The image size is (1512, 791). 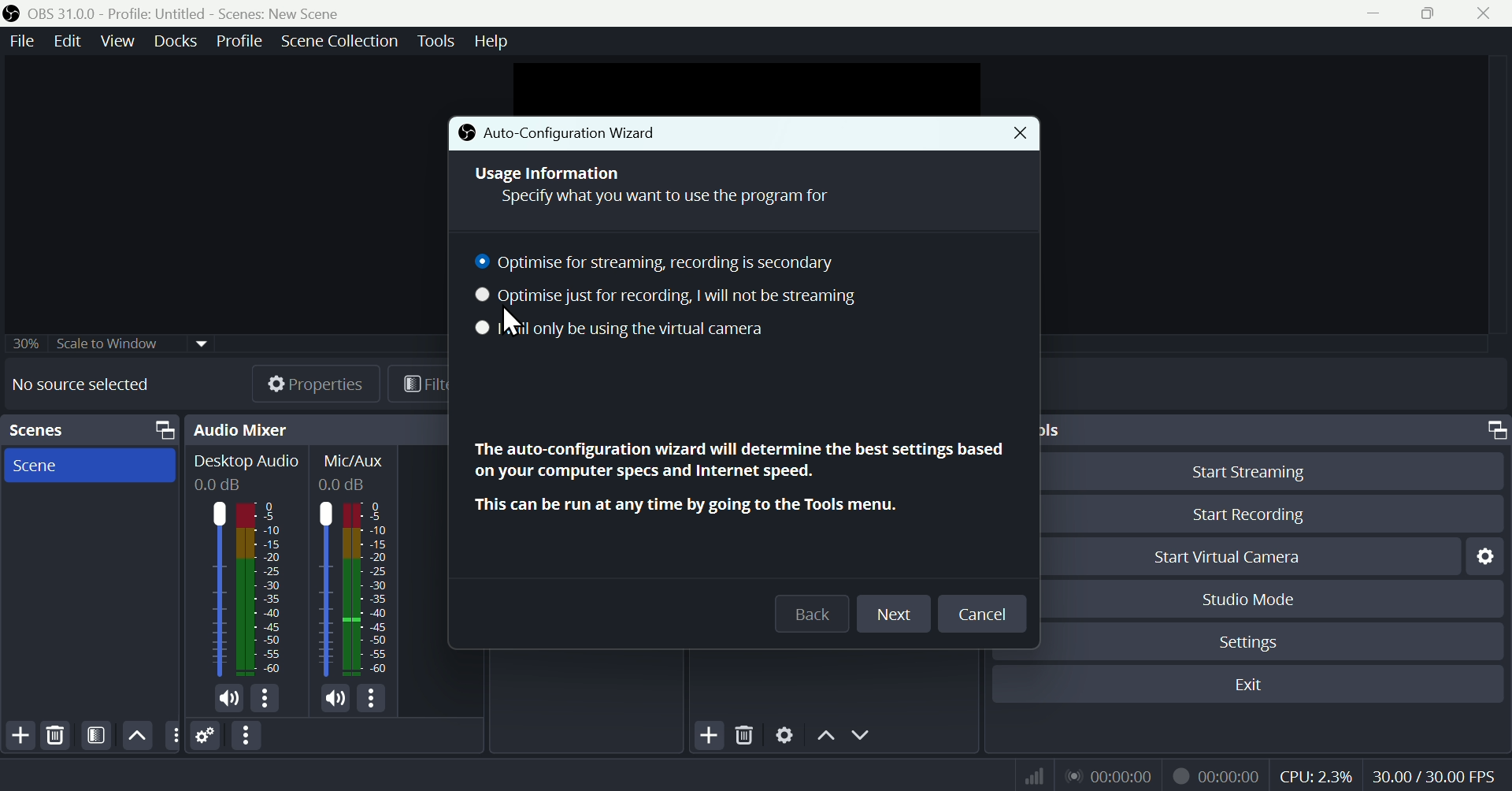 What do you see at coordinates (665, 331) in the screenshot?
I see `only be using the virtual camera` at bounding box center [665, 331].